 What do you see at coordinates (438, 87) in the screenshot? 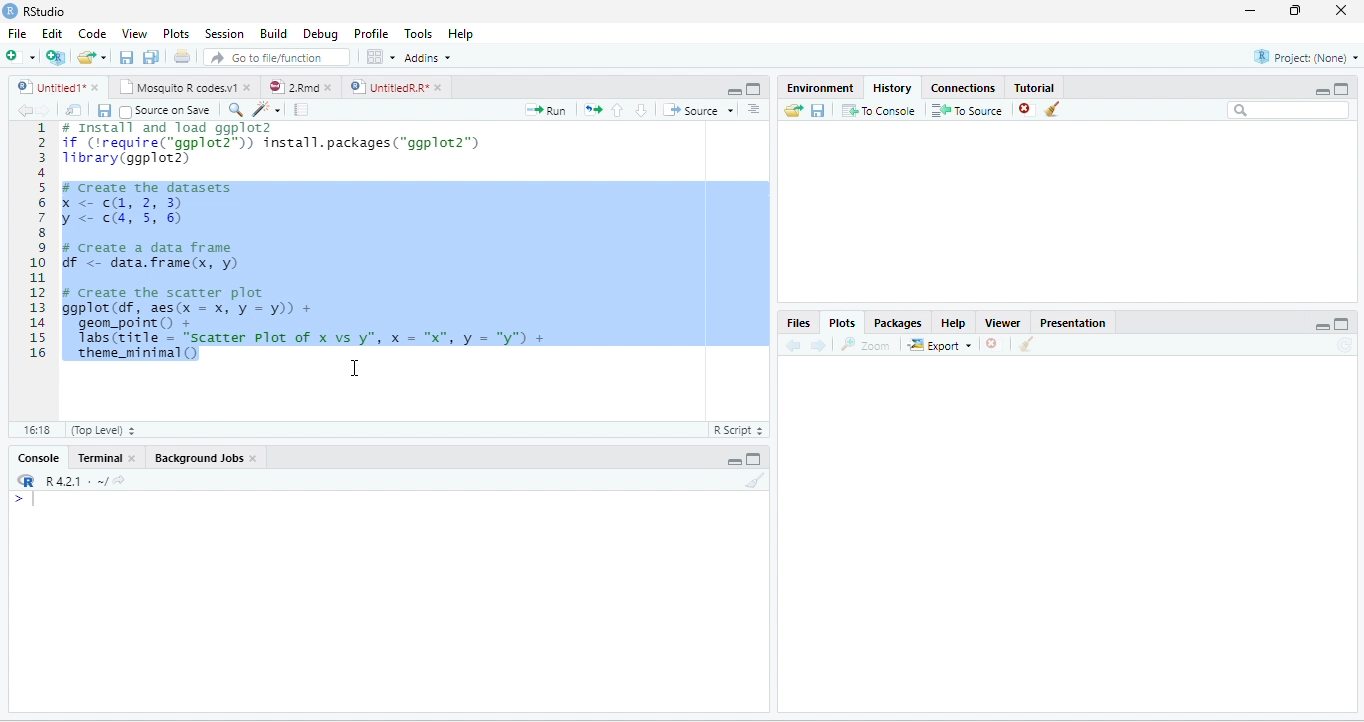
I see `close` at bounding box center [438, 87].